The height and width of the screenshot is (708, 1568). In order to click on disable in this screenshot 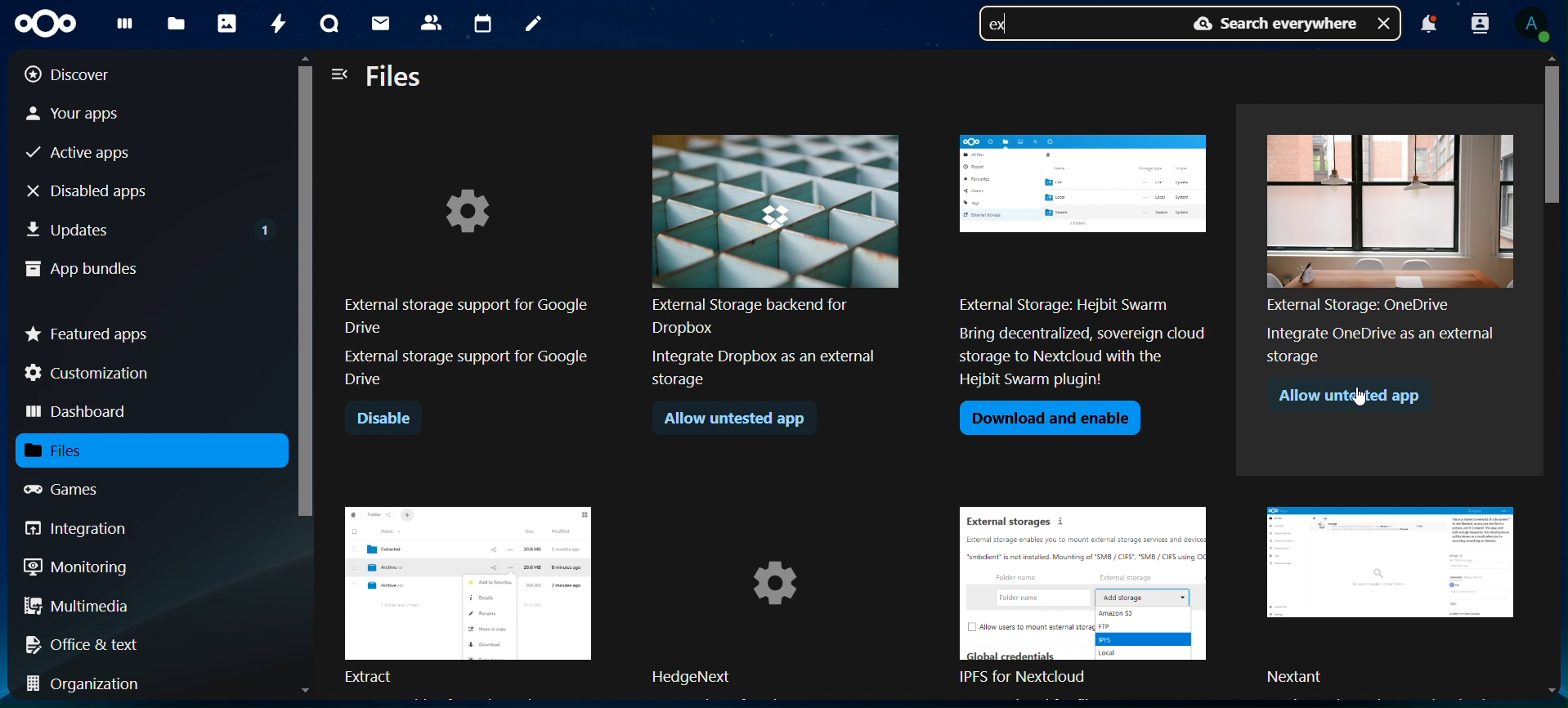, I will do `click(383, 419)`.